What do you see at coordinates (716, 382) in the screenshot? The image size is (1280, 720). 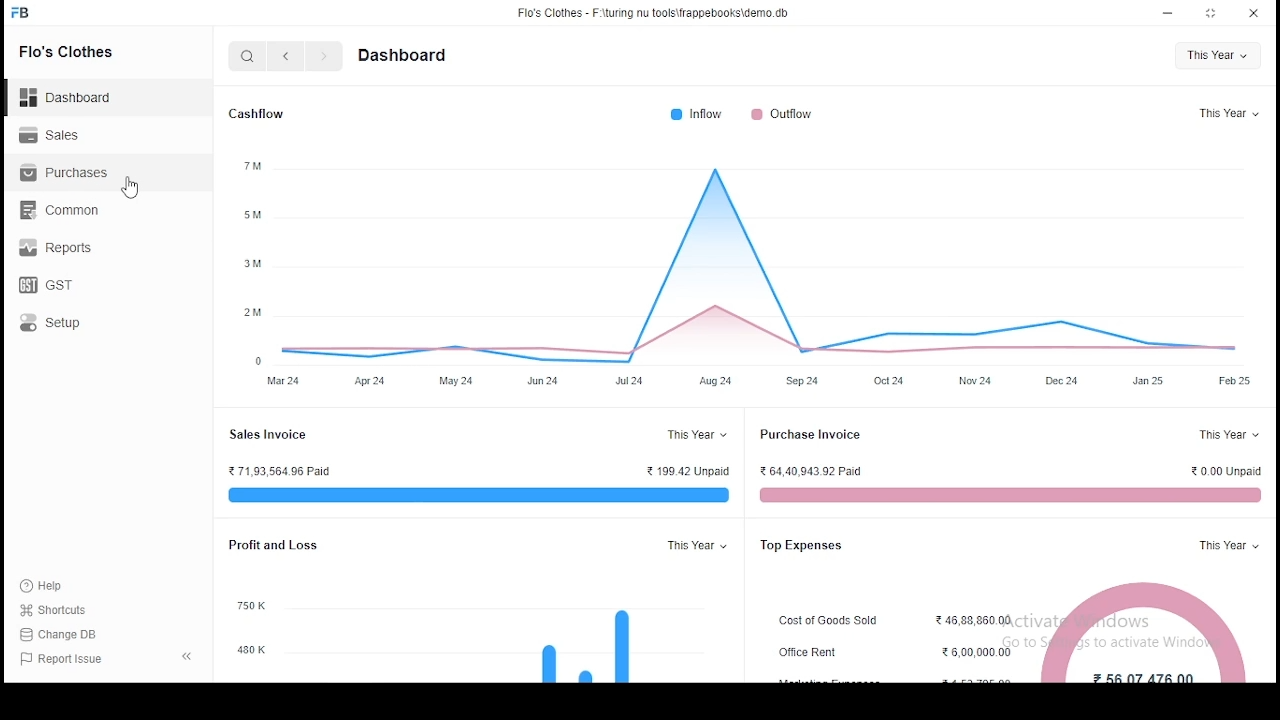 I see `Aug 24` at bounding box center [716, 382].